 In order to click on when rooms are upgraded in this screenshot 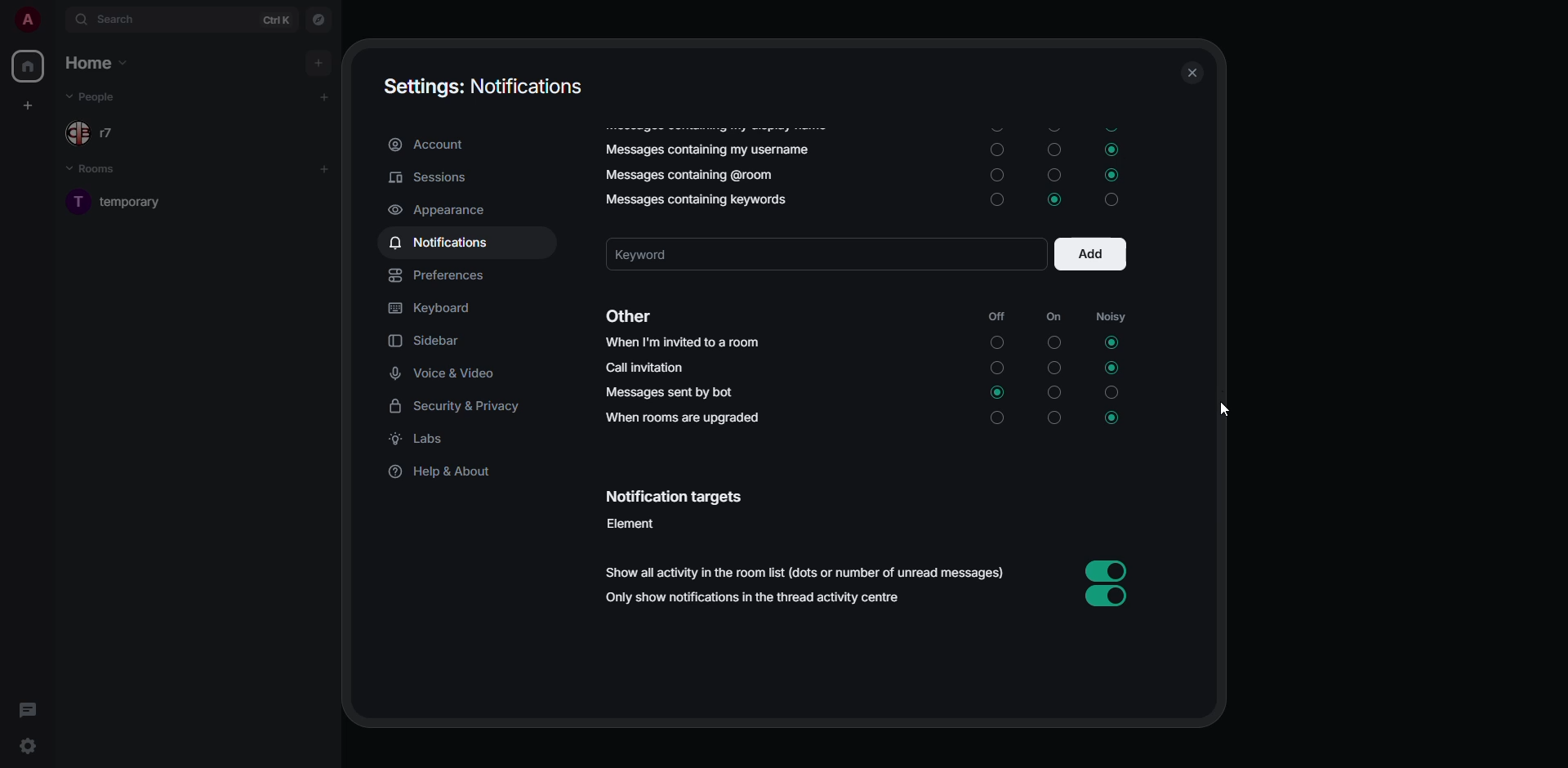, I will do `click(684, 417)`.